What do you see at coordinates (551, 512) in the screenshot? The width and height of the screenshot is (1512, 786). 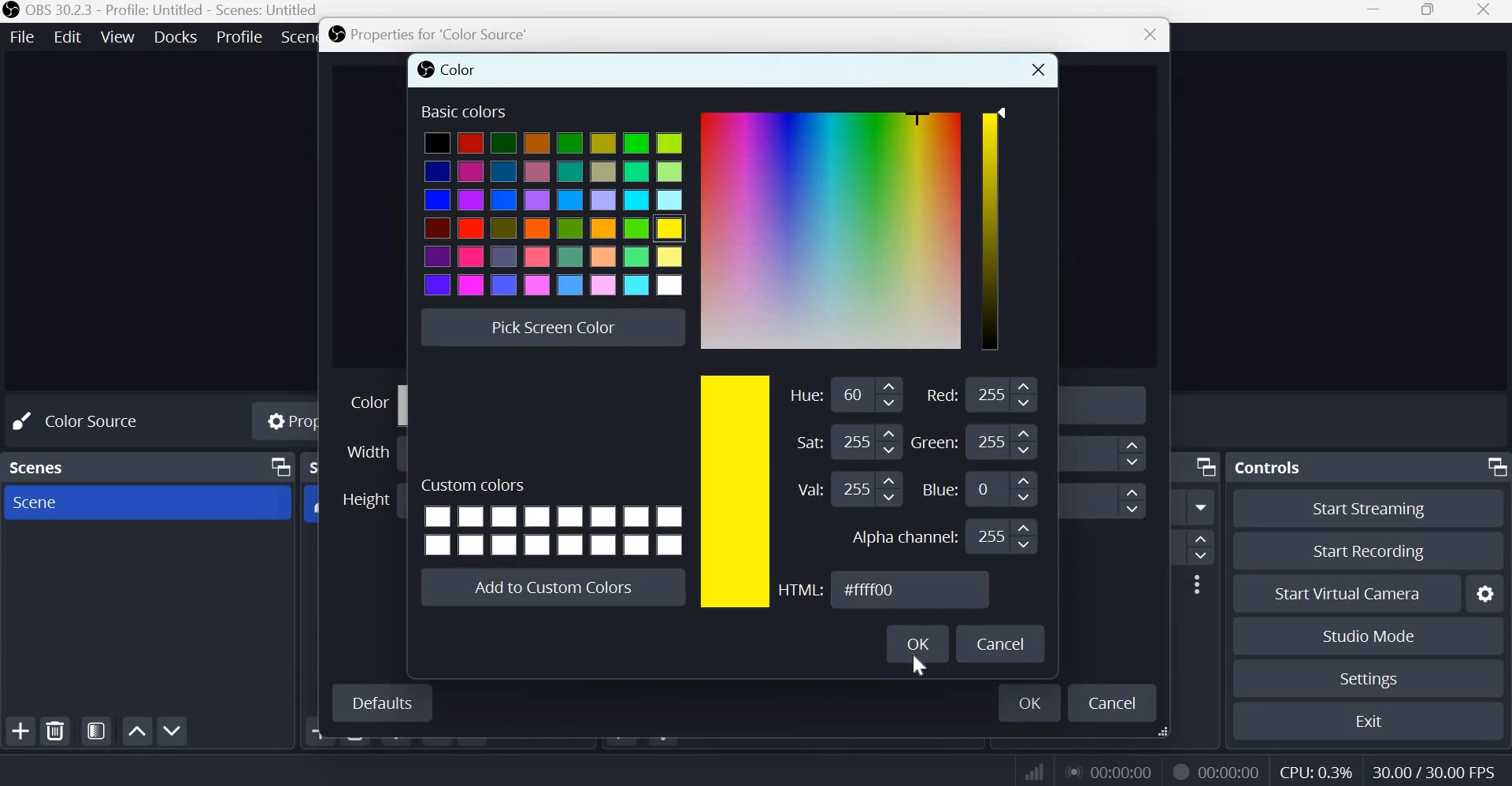 I see `Cusom colors` at bounding box center [551, 512].